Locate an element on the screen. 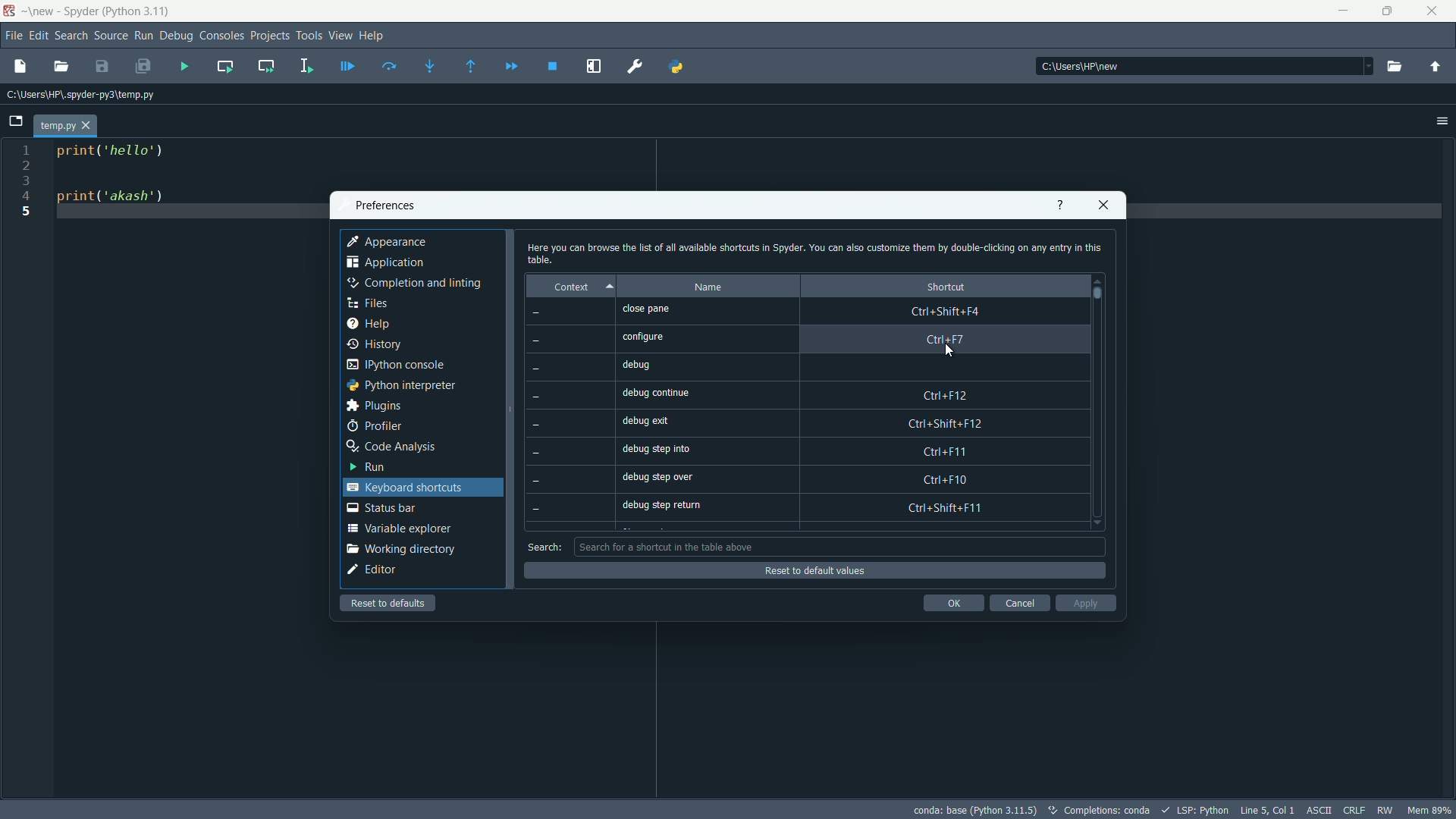  debug file is located at coordinates (184, 67).